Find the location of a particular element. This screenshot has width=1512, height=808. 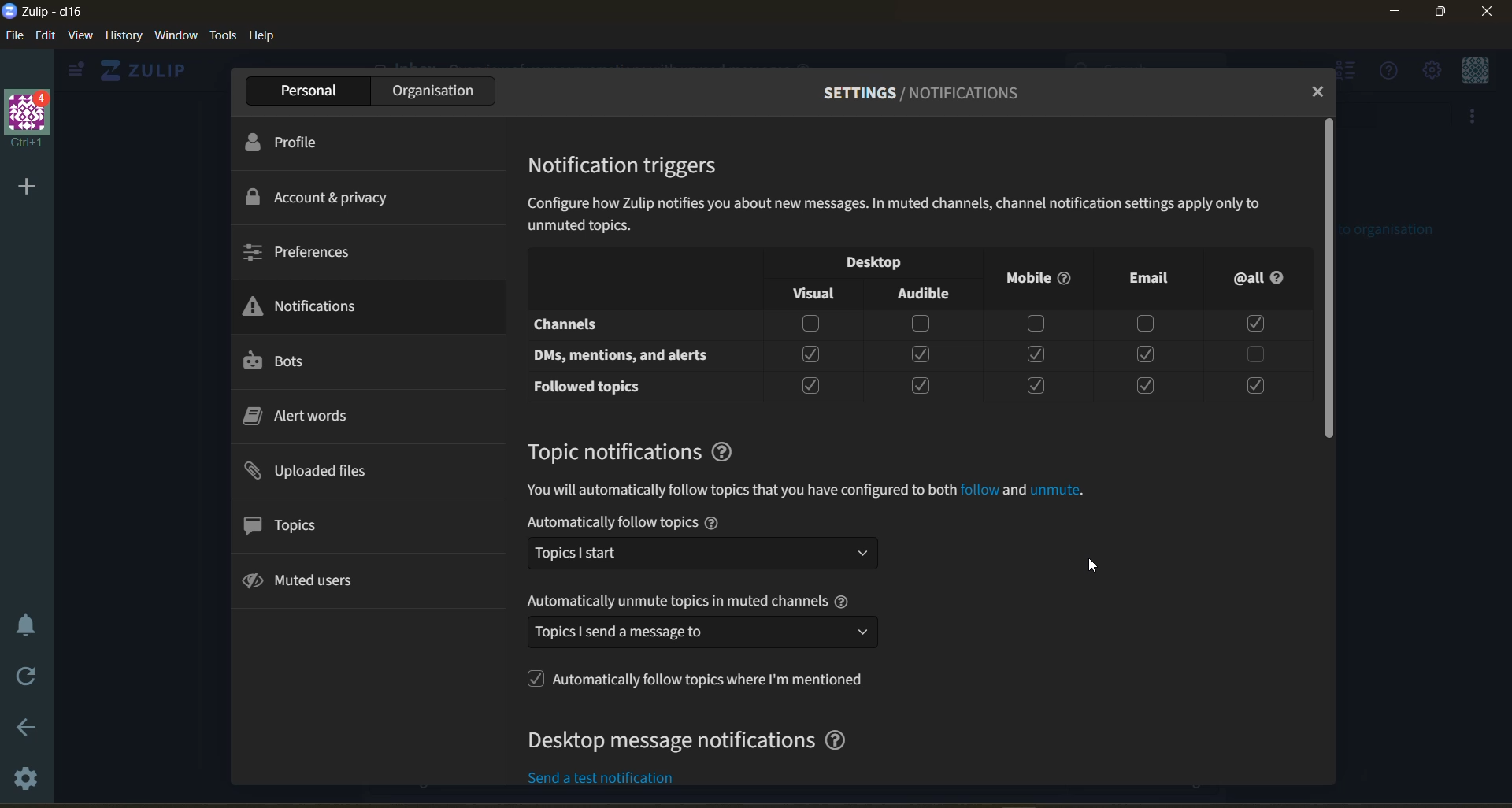

automatically follow topics is located at coordinates (702, 521).